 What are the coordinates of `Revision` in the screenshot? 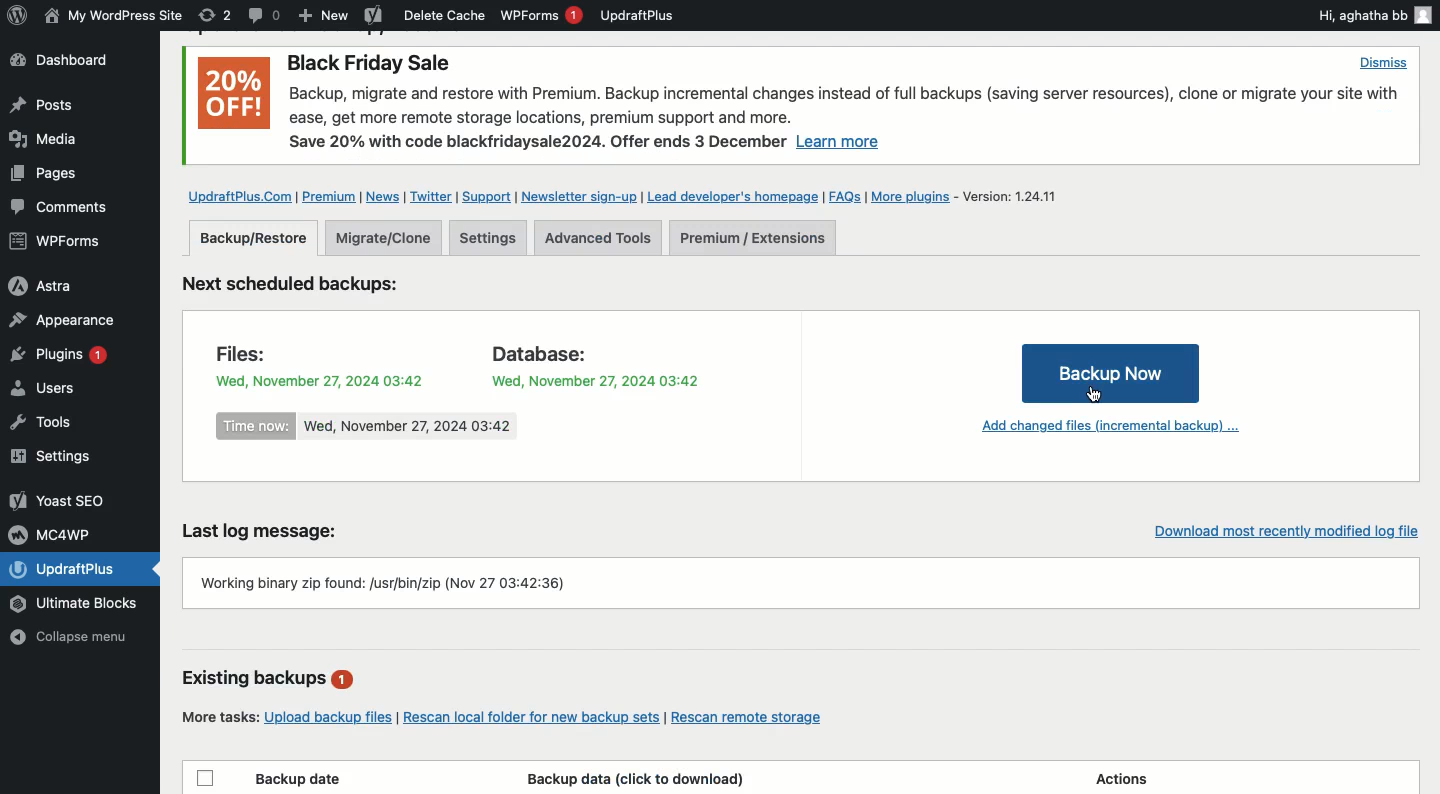 It's located at (215, 15).